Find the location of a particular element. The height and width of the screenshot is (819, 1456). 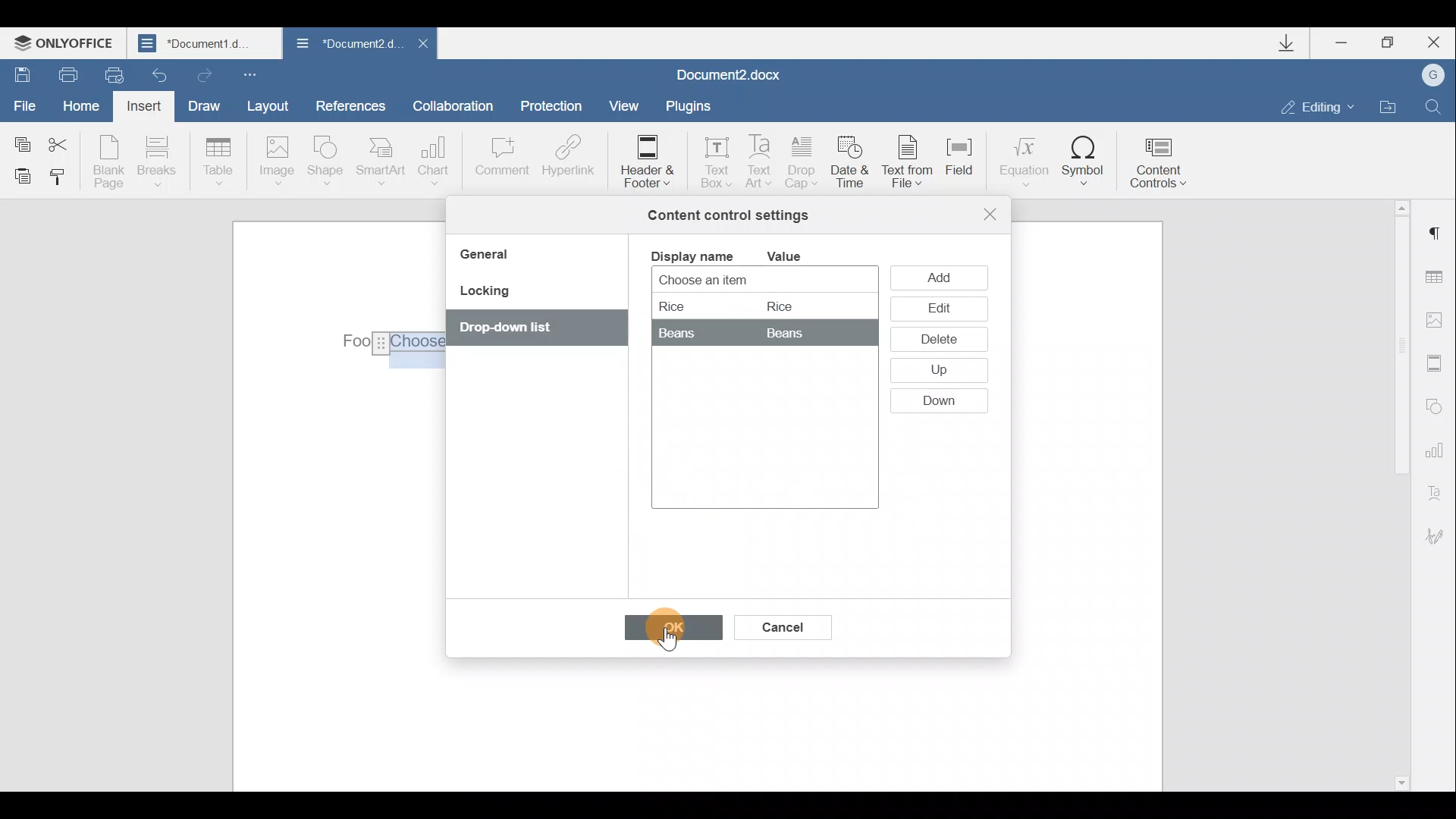

ONLYOFFICE is located at coordinates (67, 42).